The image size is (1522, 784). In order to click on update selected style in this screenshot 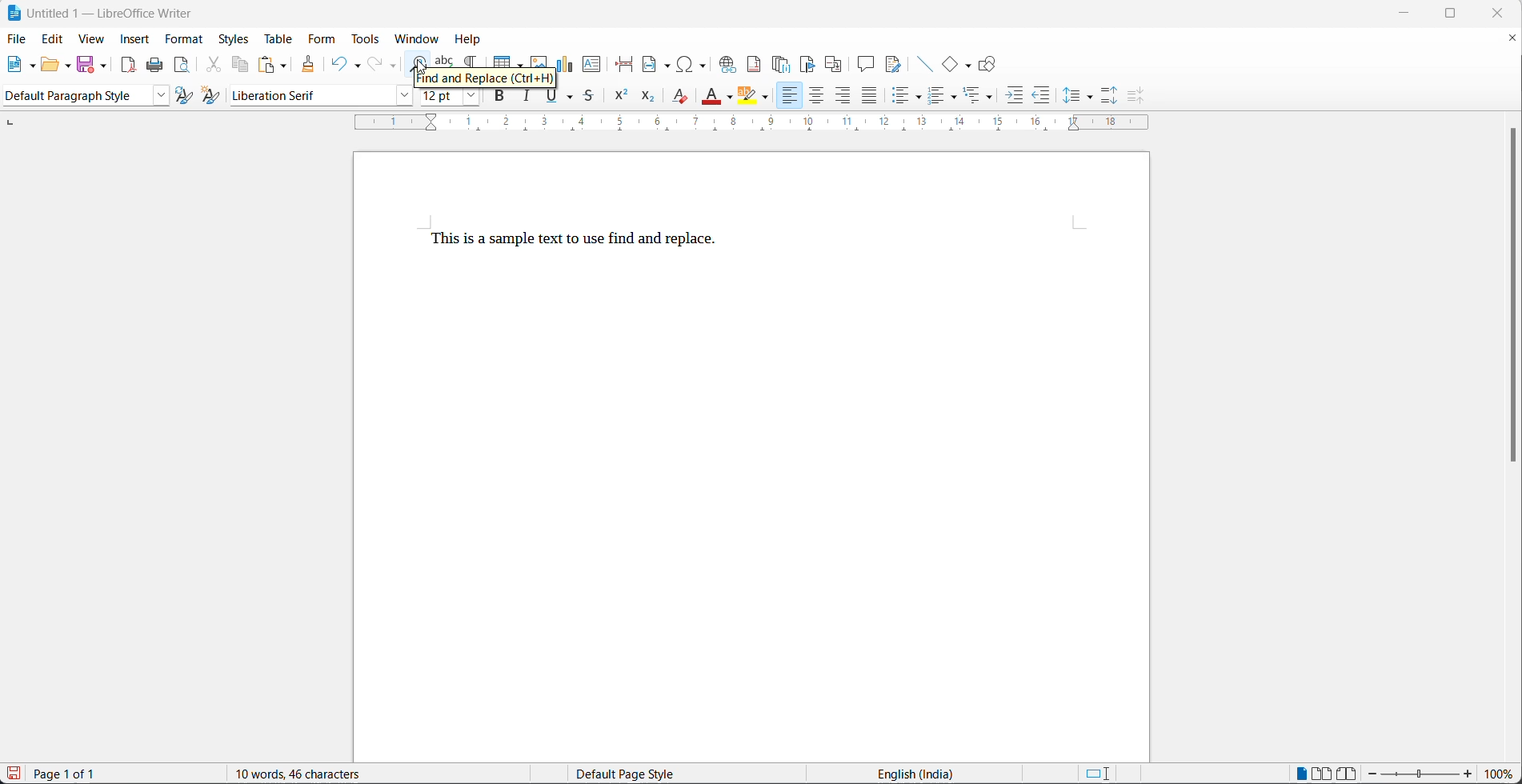, I will do `click(185, 96)`.